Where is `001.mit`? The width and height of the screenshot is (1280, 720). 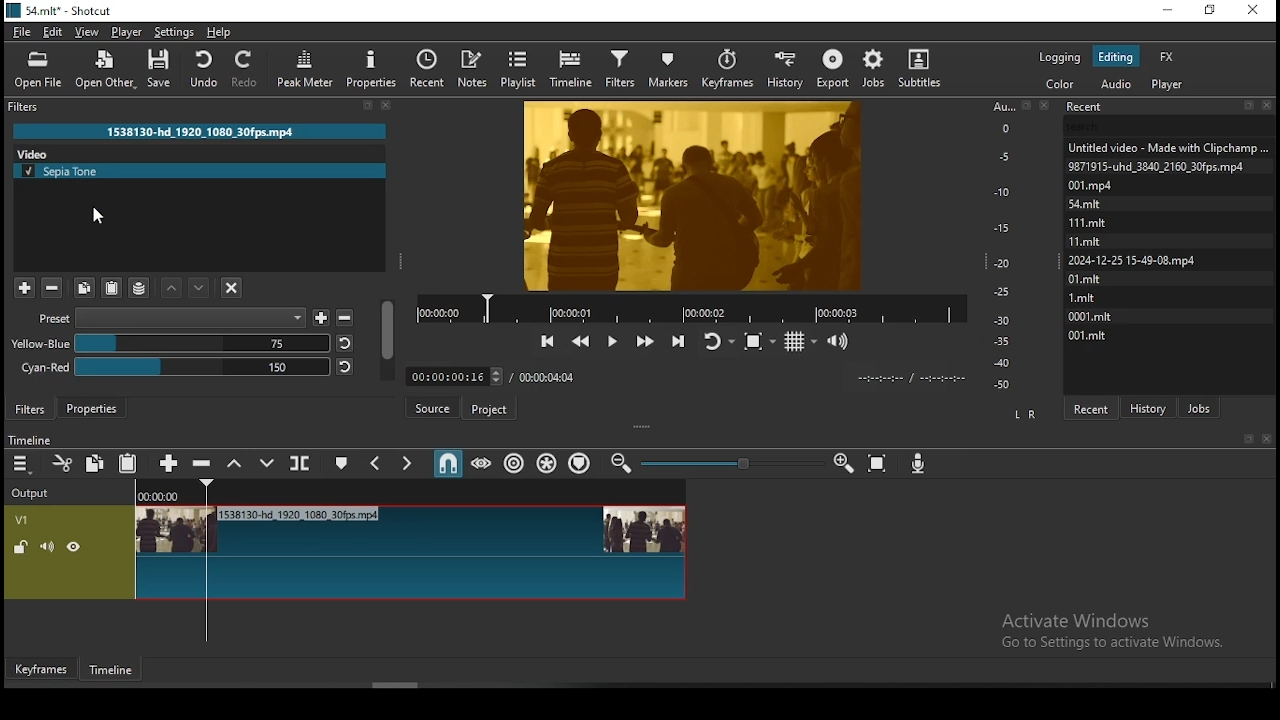 001.mit is located at coordinates (1092, 336).